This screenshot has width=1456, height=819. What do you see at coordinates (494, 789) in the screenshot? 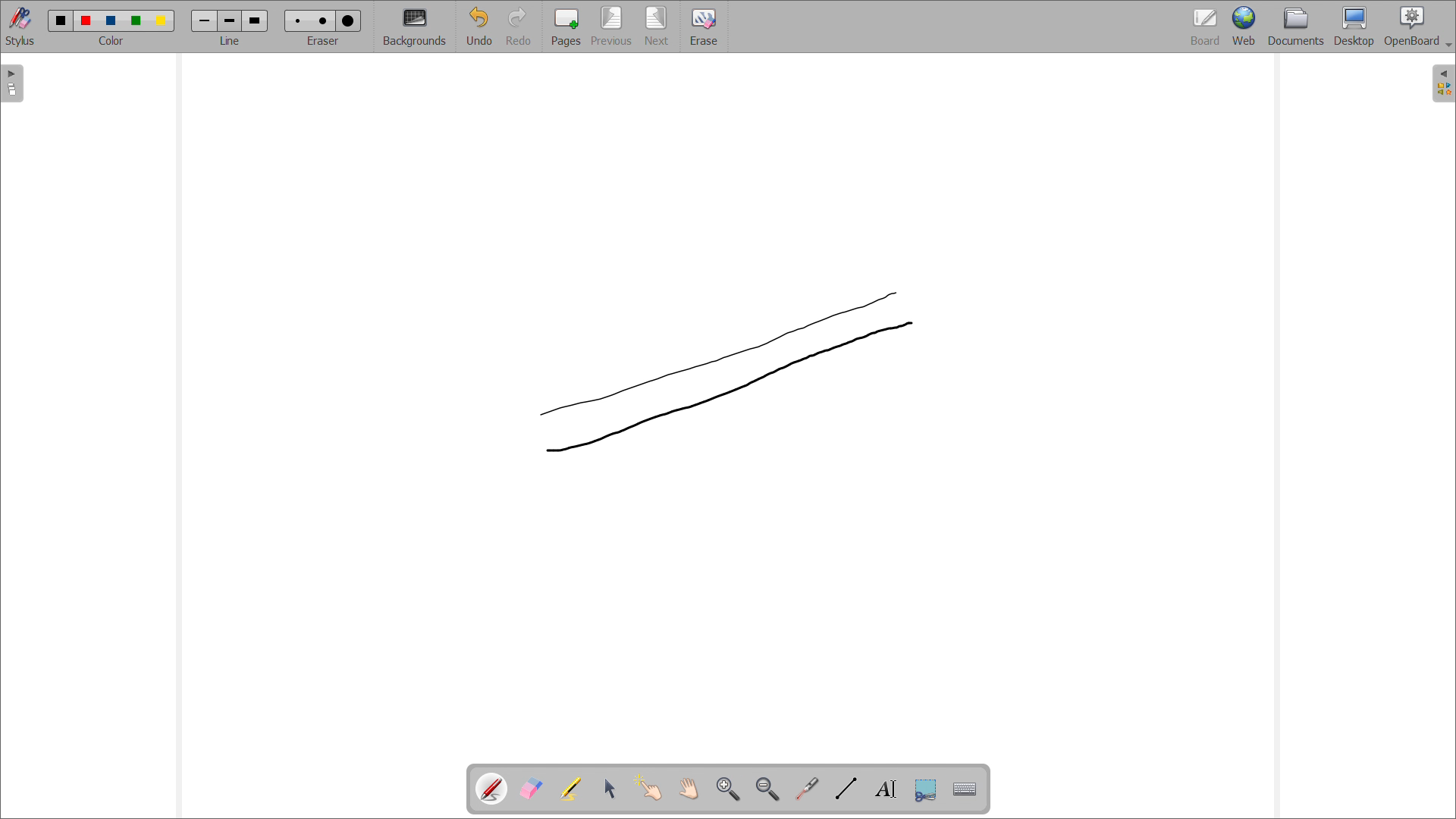
I see `pen tool` at bounding box center [494, 789].